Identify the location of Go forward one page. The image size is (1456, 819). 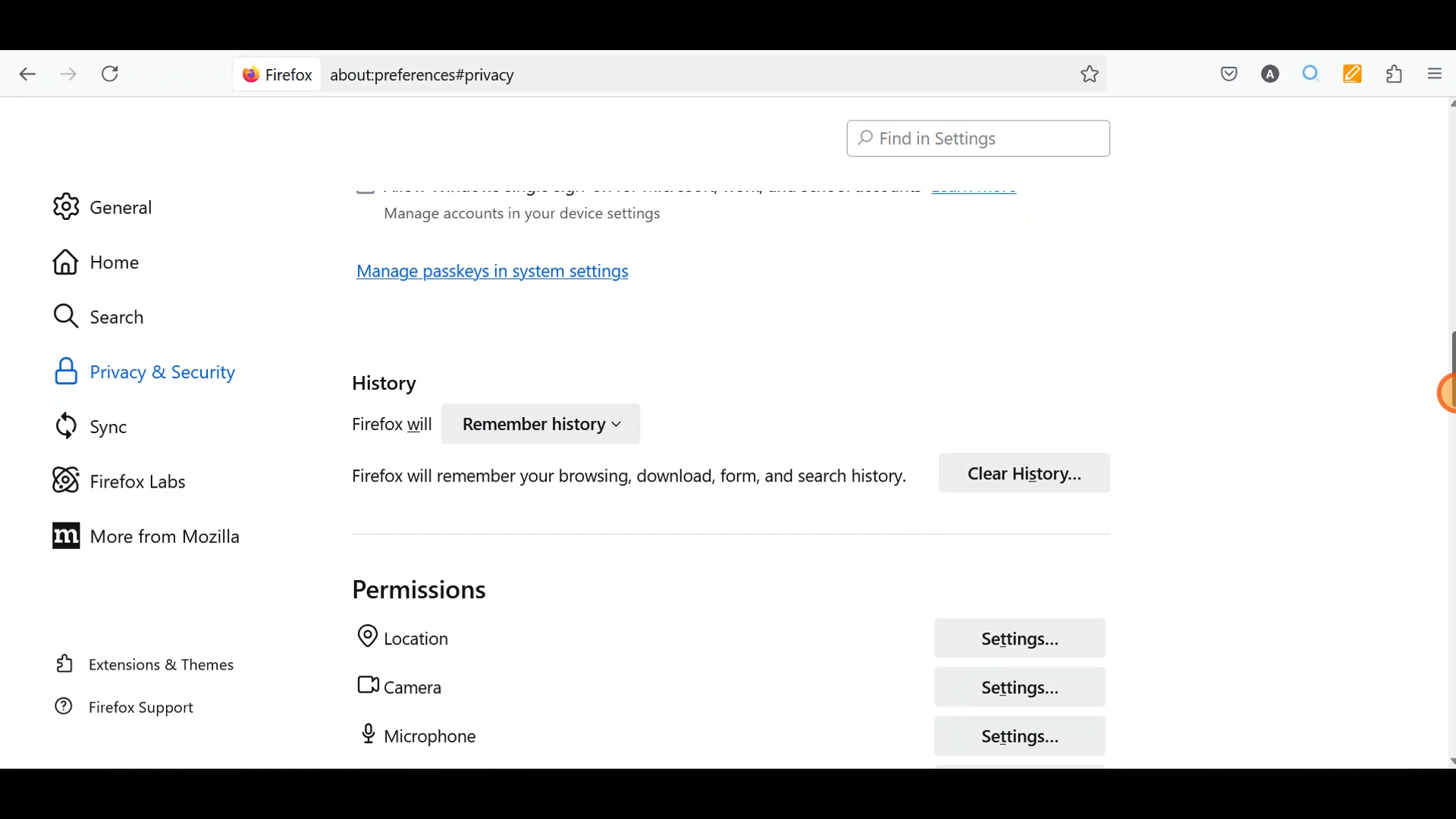
(67, 70).